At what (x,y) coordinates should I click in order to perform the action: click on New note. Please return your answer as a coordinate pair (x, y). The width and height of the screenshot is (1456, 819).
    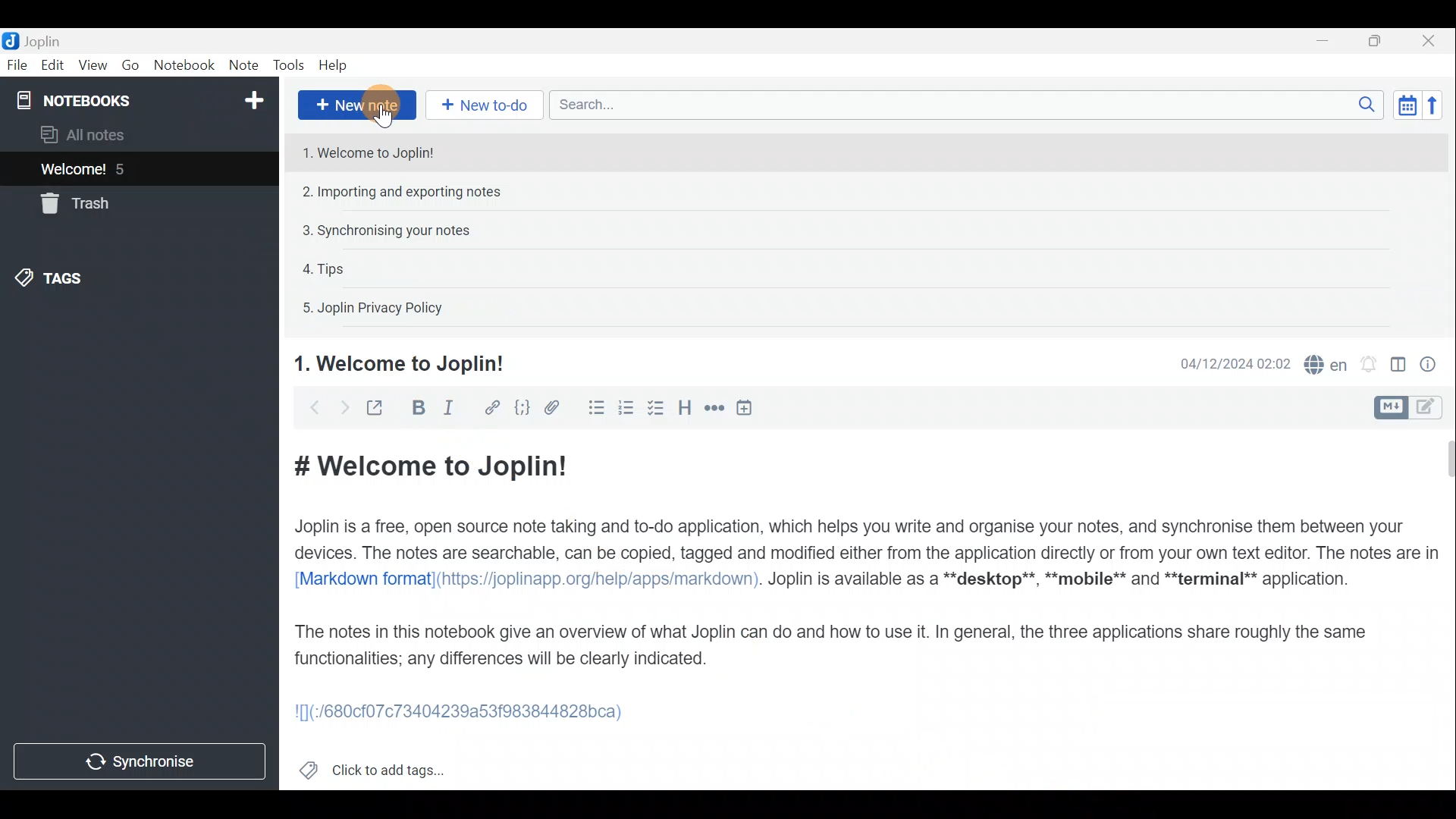
    Looking at the image, I should click on (357, 105).